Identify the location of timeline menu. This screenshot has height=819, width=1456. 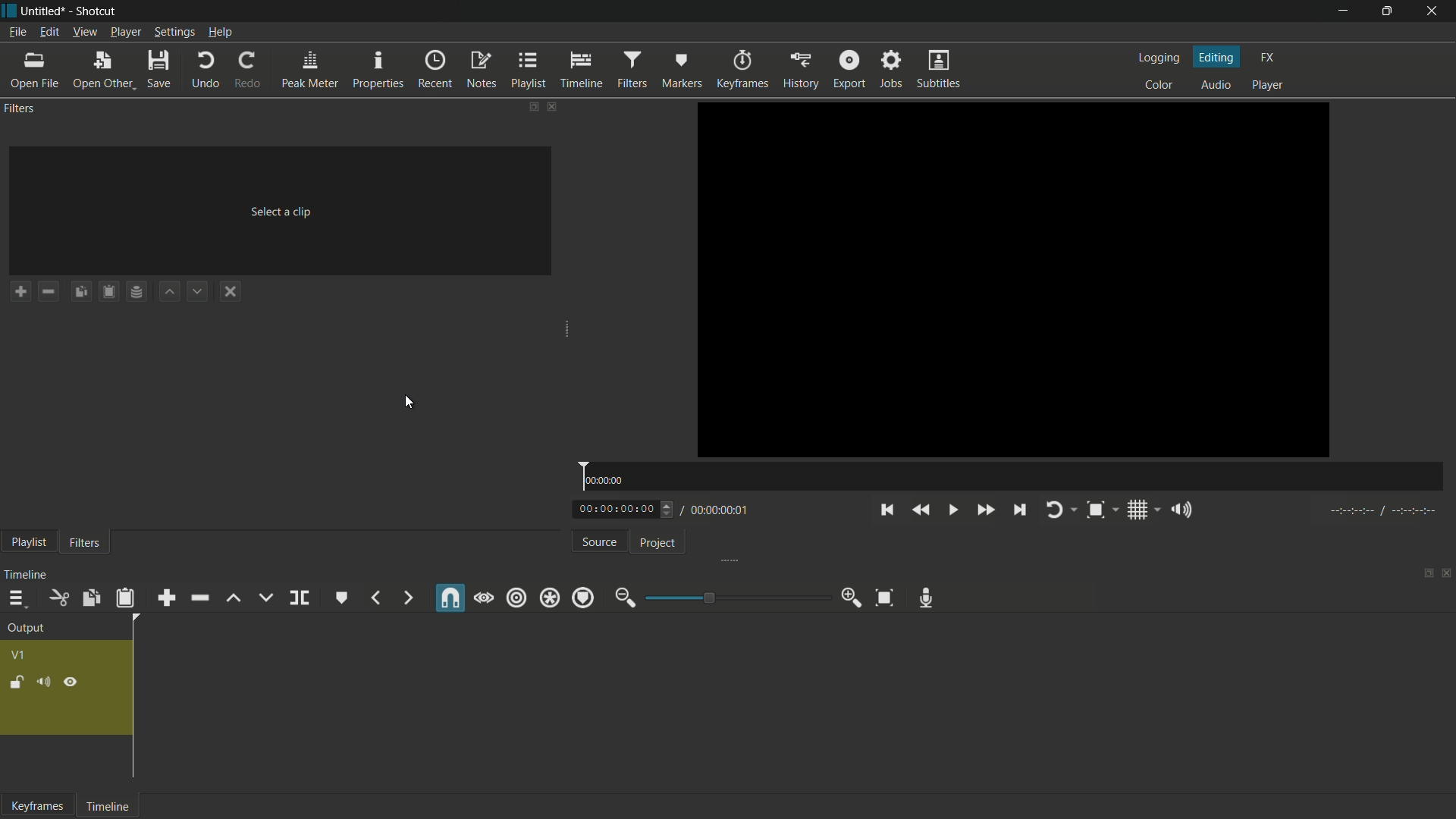
(17, 599).